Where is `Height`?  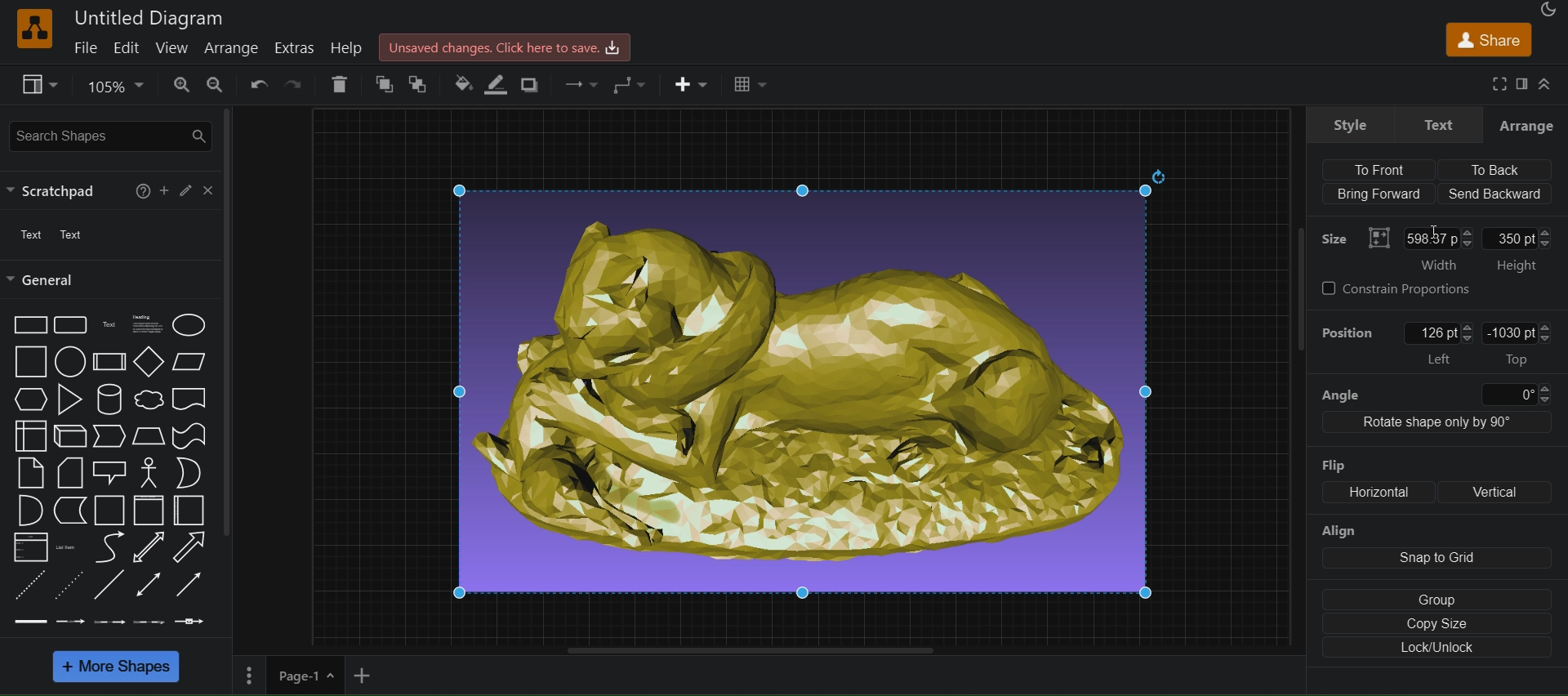
Height is located at coordinates (1520, 267).